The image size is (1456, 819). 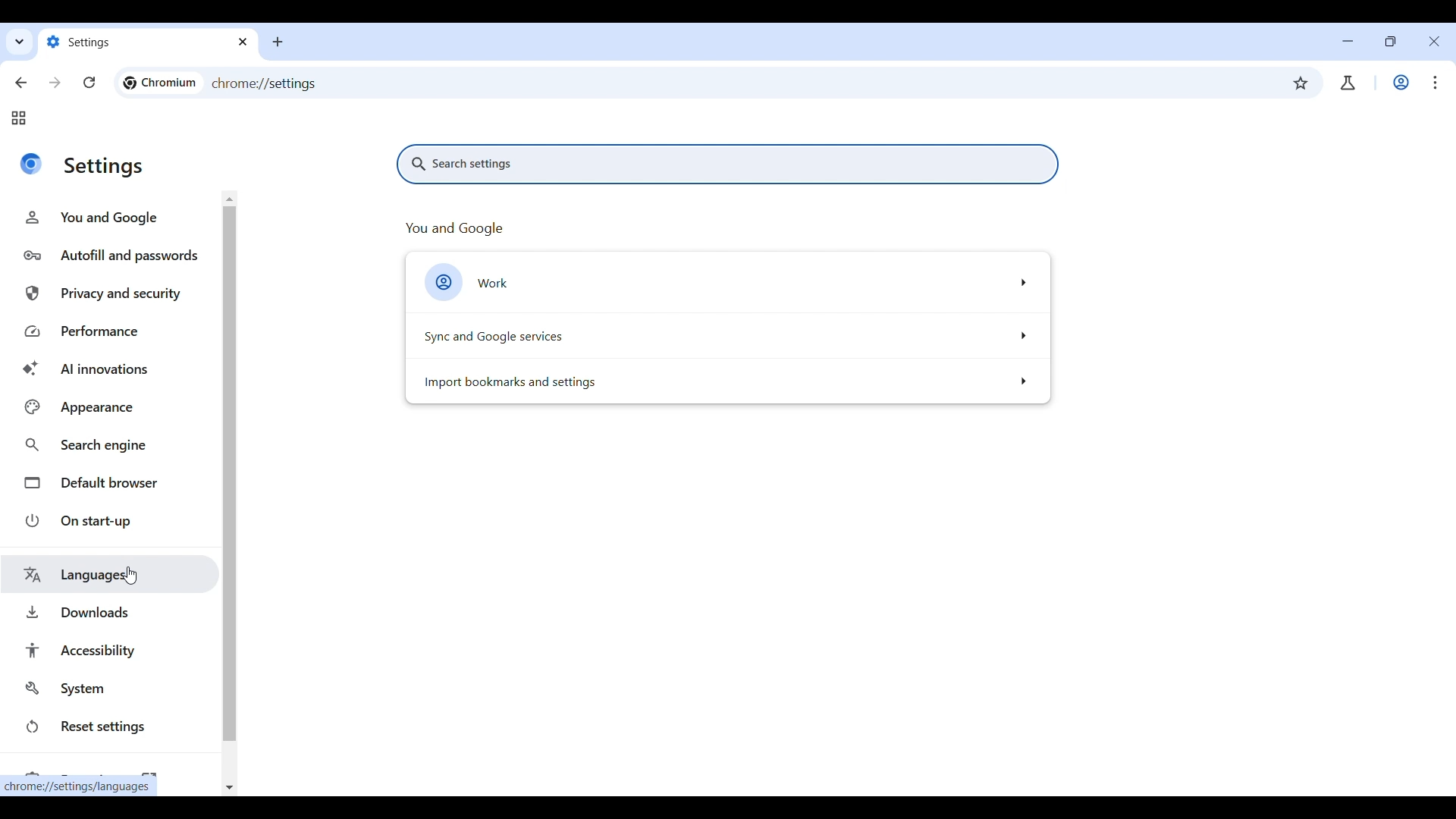 What do you see at coordinates (109, 612) in the screenshot?
I see `Downloads` at bounding box center [109, 612].